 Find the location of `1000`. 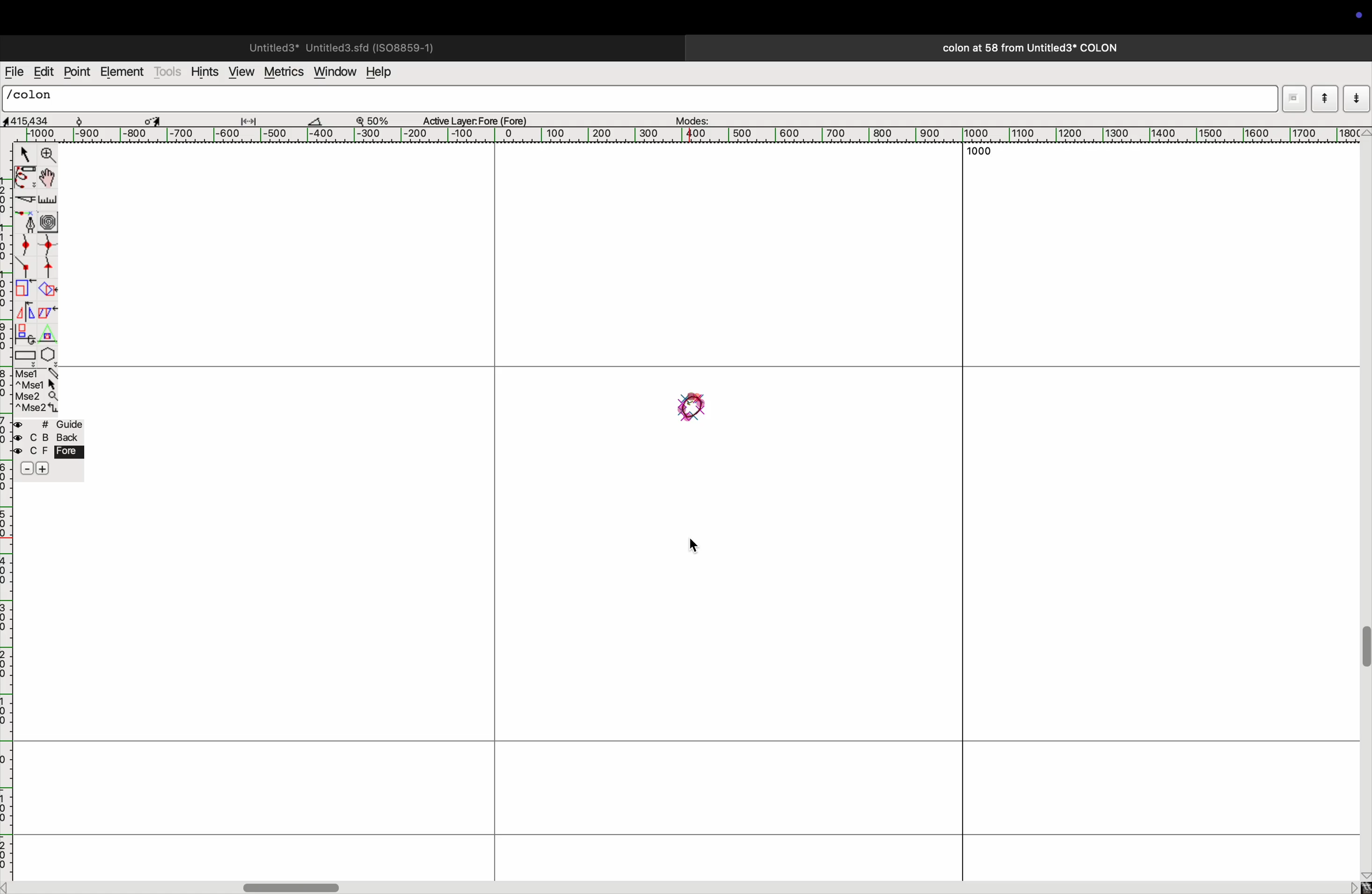

1000 is located at coordinates (979, 151).